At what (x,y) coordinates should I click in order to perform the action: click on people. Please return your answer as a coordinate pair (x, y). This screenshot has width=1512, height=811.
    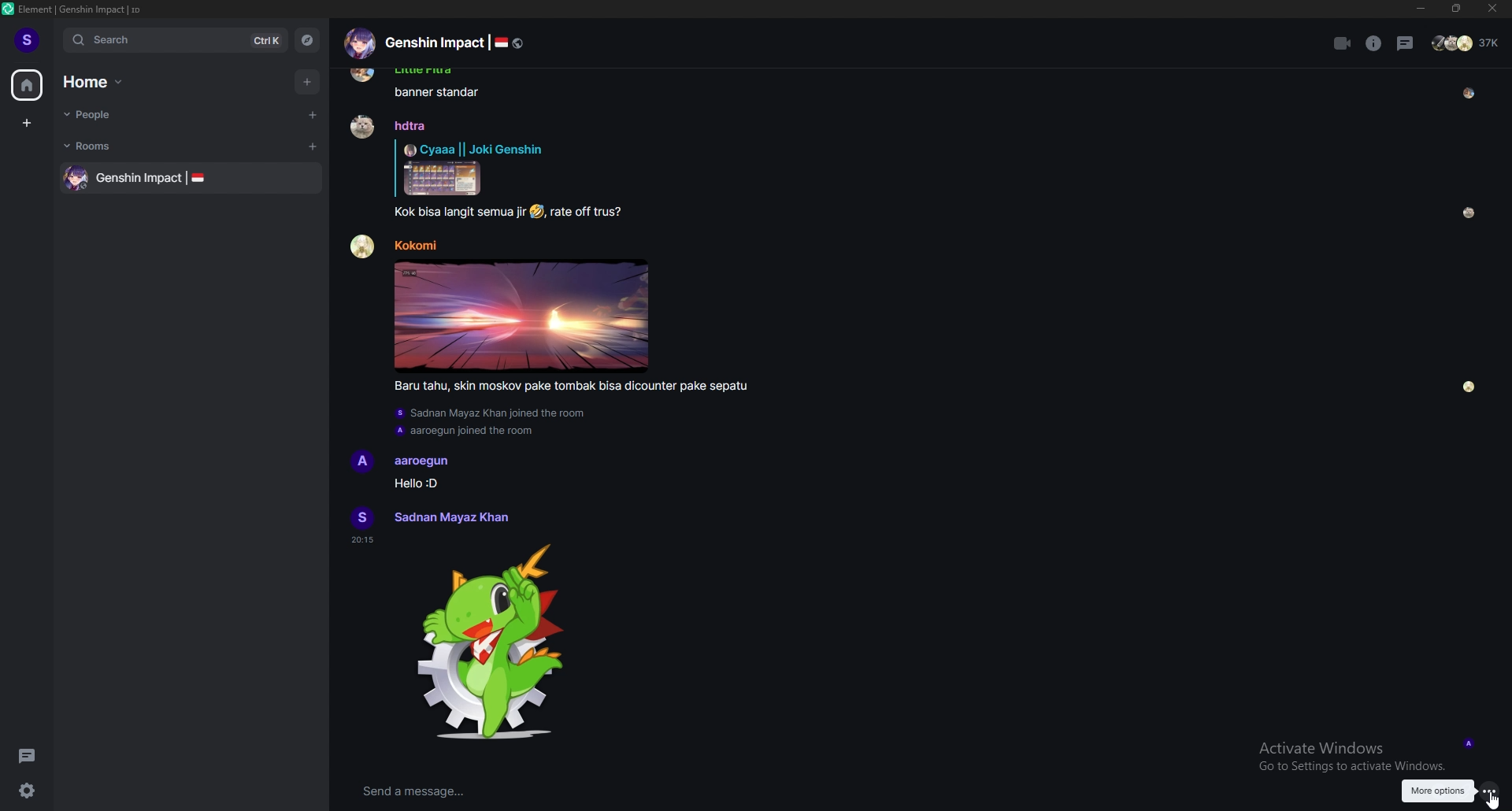
    Looking at the image, I should click on (111, 114).